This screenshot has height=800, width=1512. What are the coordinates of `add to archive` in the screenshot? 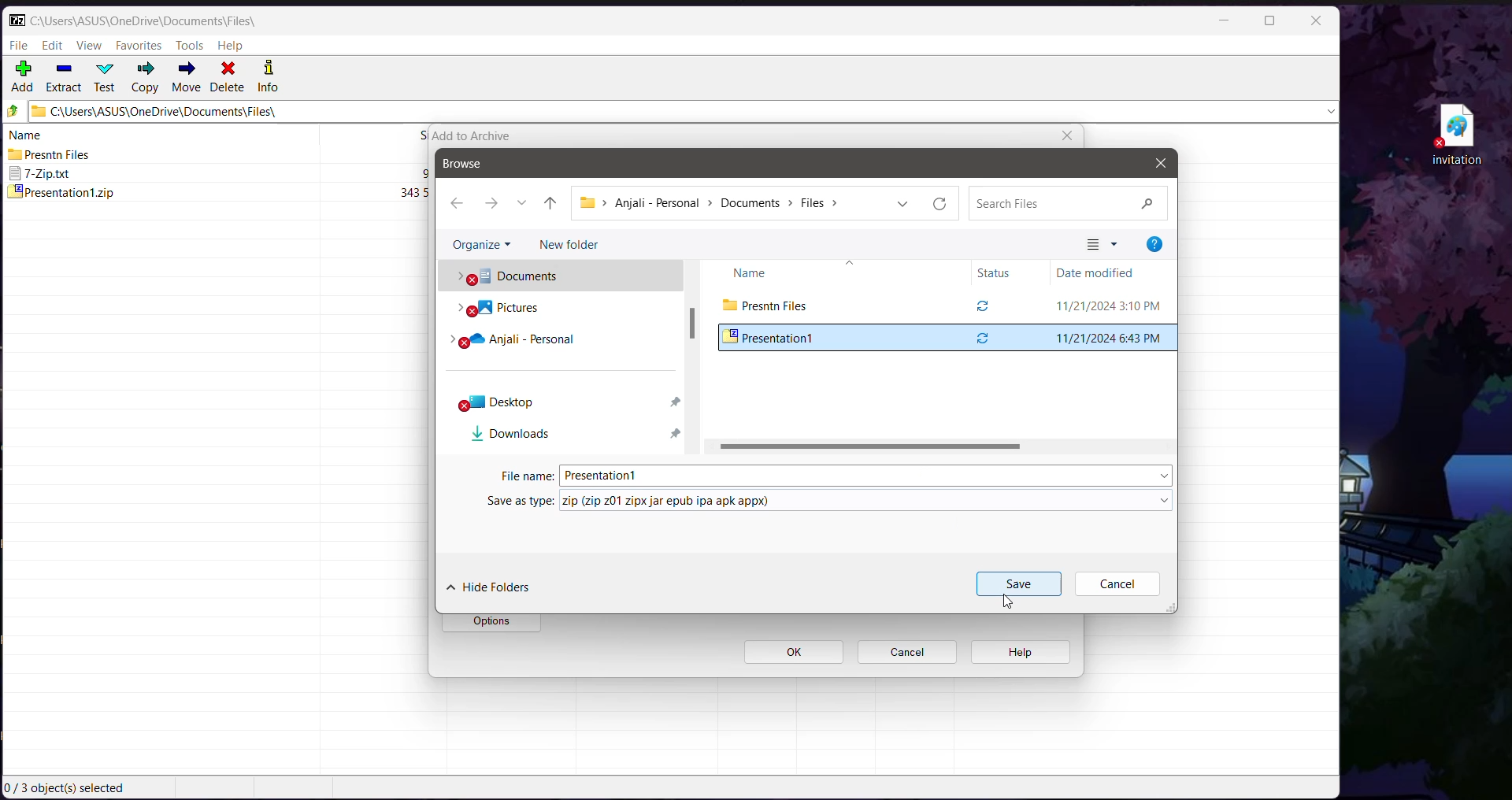 It's located at (478, 135).